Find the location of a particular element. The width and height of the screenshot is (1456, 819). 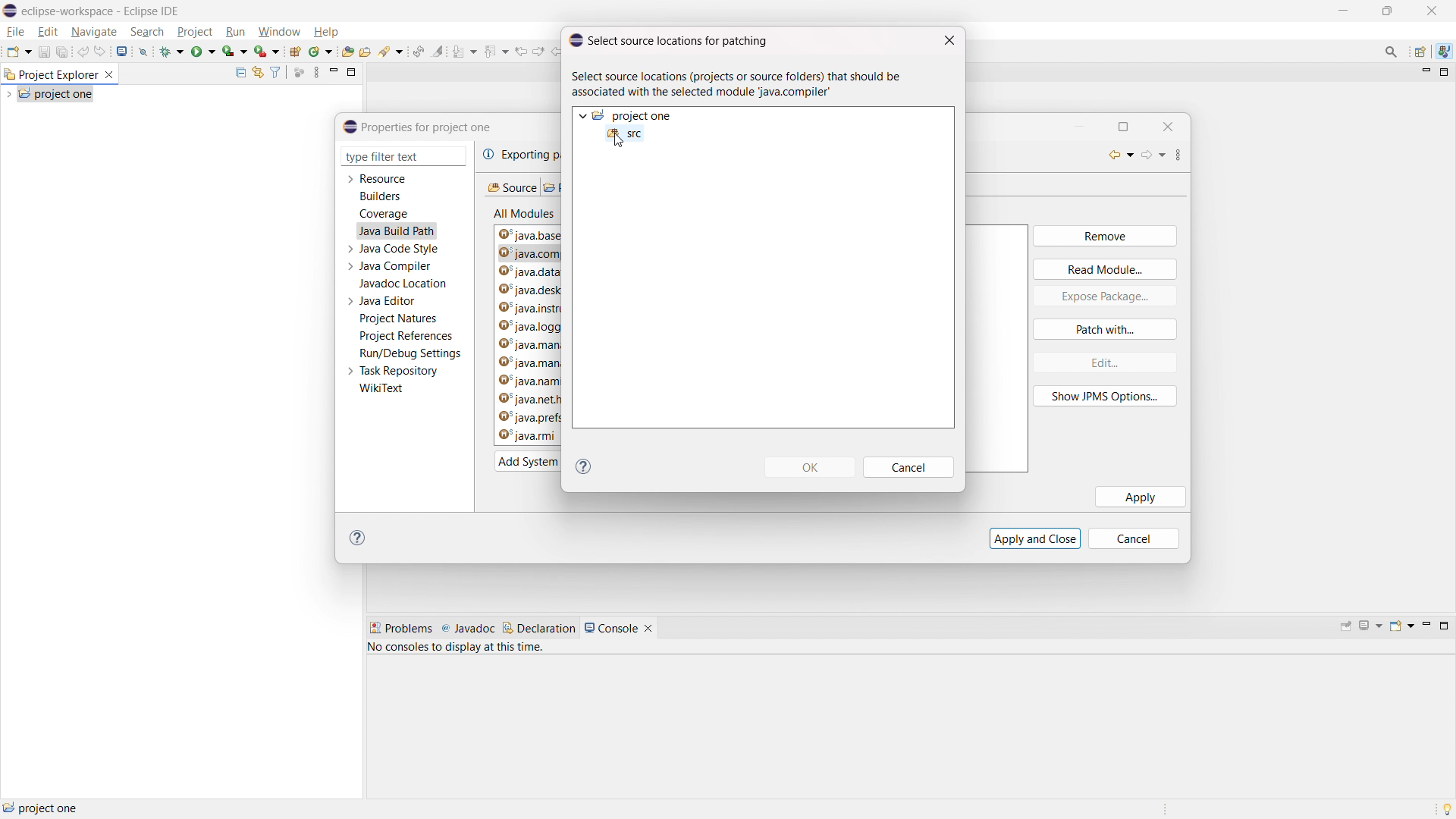

run is located at coordinates (203, 50).